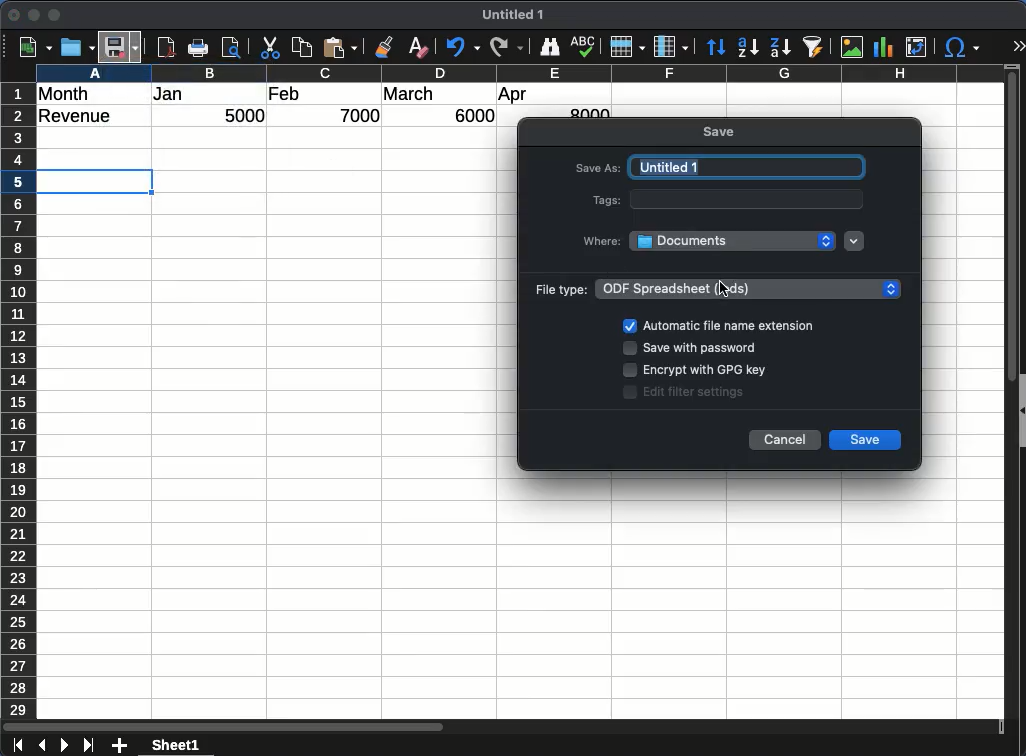  What do you see at coordinates (866, 441) in the screenshot?
I see `save` at bounding box center [866, 441].